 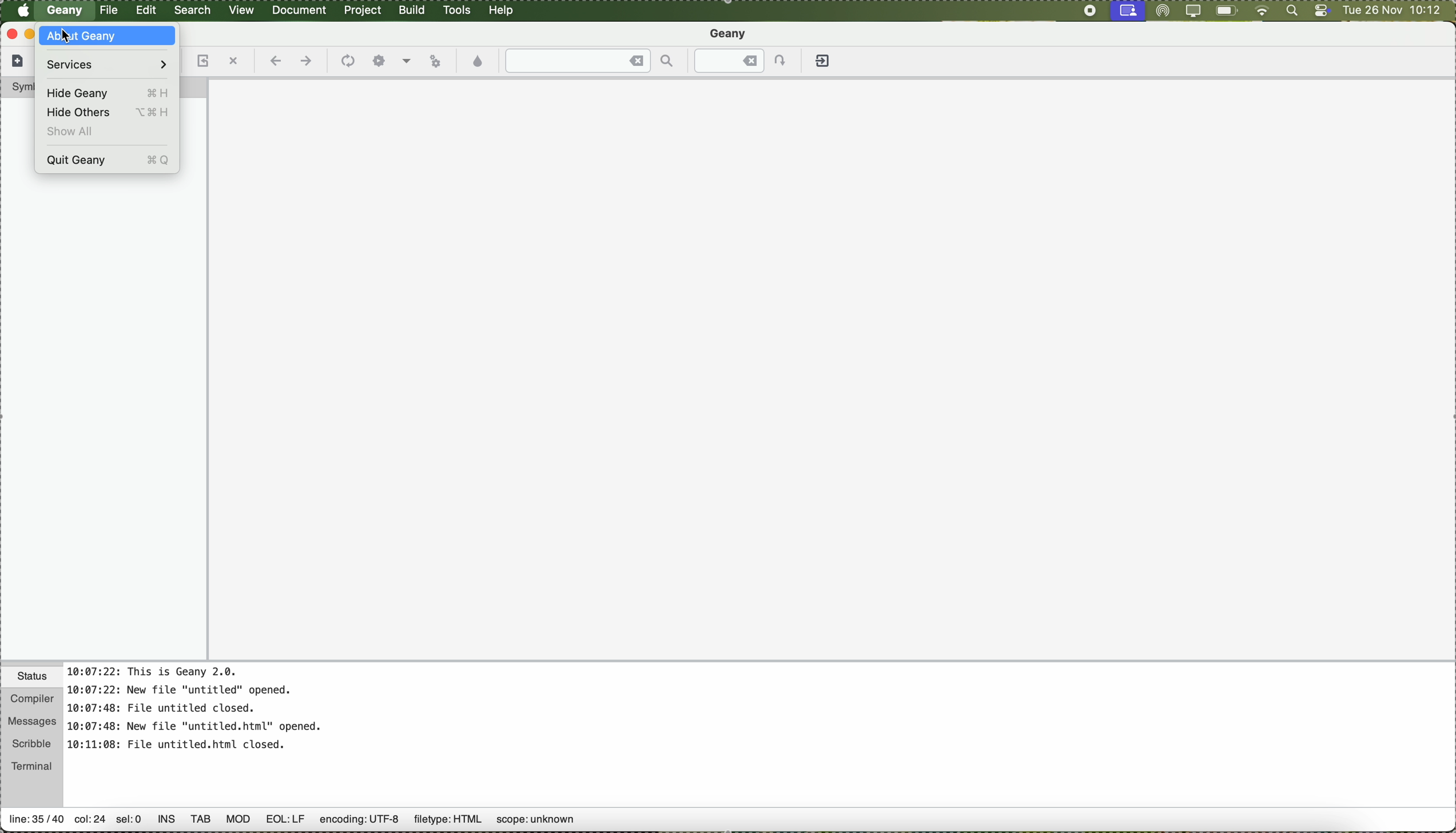 What do you see at coordinates (105, 422) in the screenshot?
I see `side bar` at bounding box center [105, 422].